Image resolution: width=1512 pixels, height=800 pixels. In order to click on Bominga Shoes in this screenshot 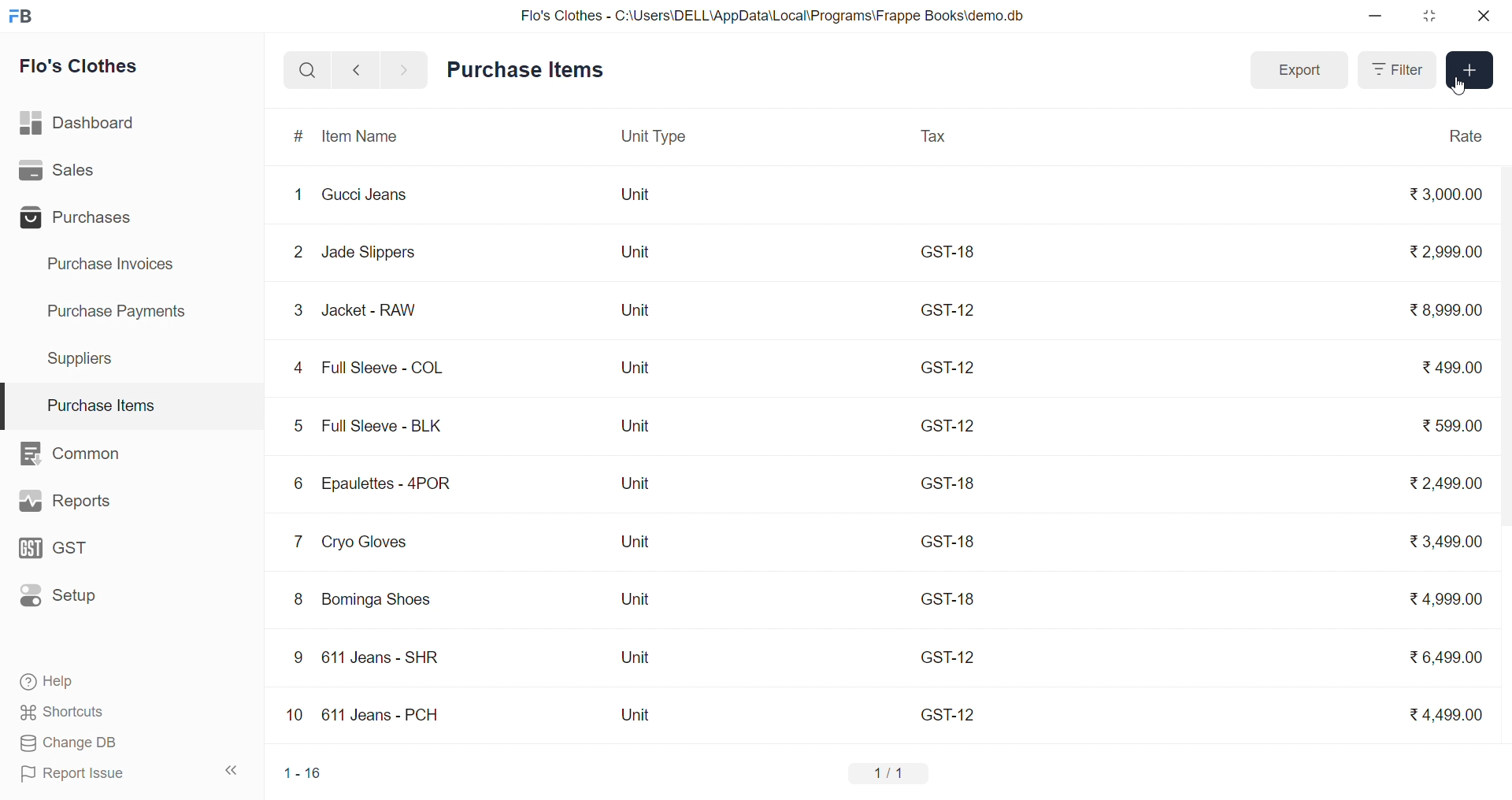, I will do `click(391, 601)`.